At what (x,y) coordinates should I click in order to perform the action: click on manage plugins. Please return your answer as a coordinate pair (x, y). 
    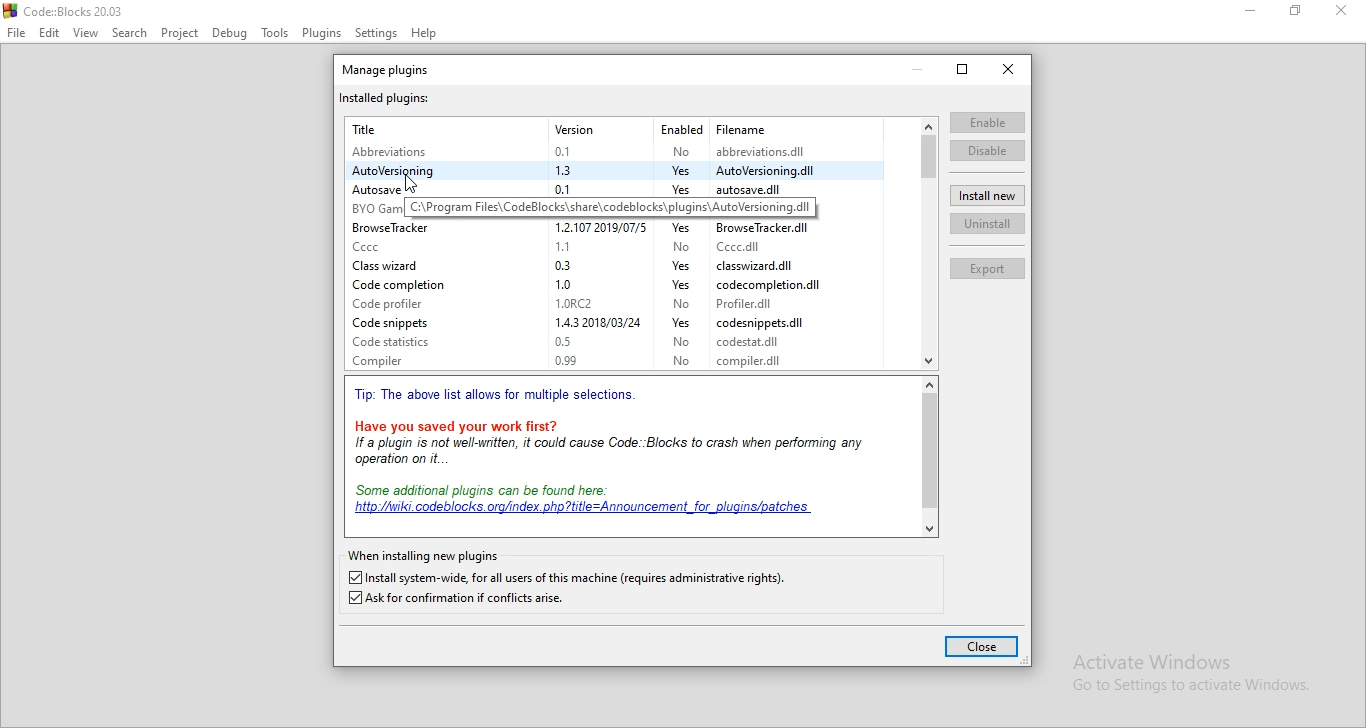
    Looking at the image, I should click on (390, 69).